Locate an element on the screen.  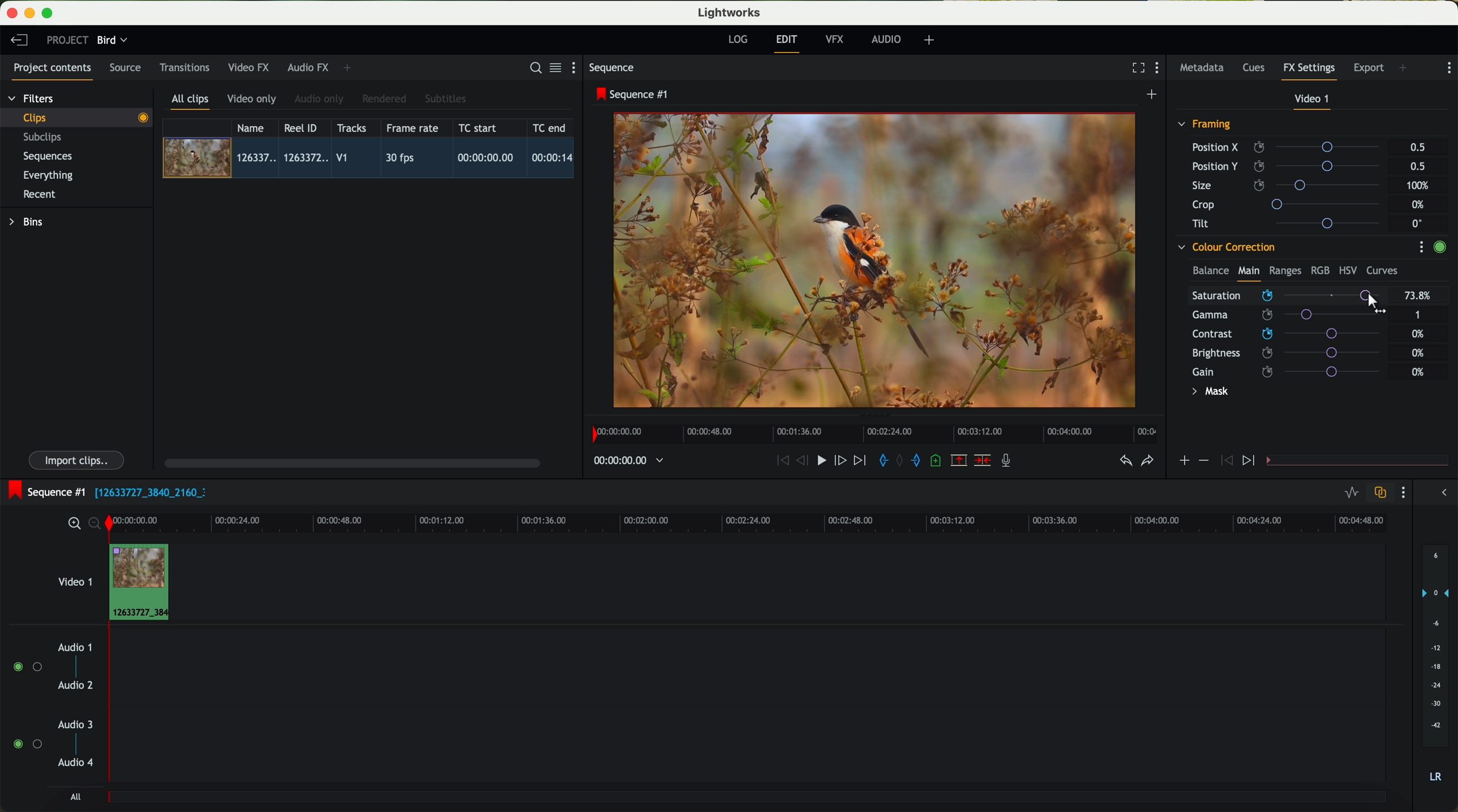
gain is located at coordinates (1293, 371).